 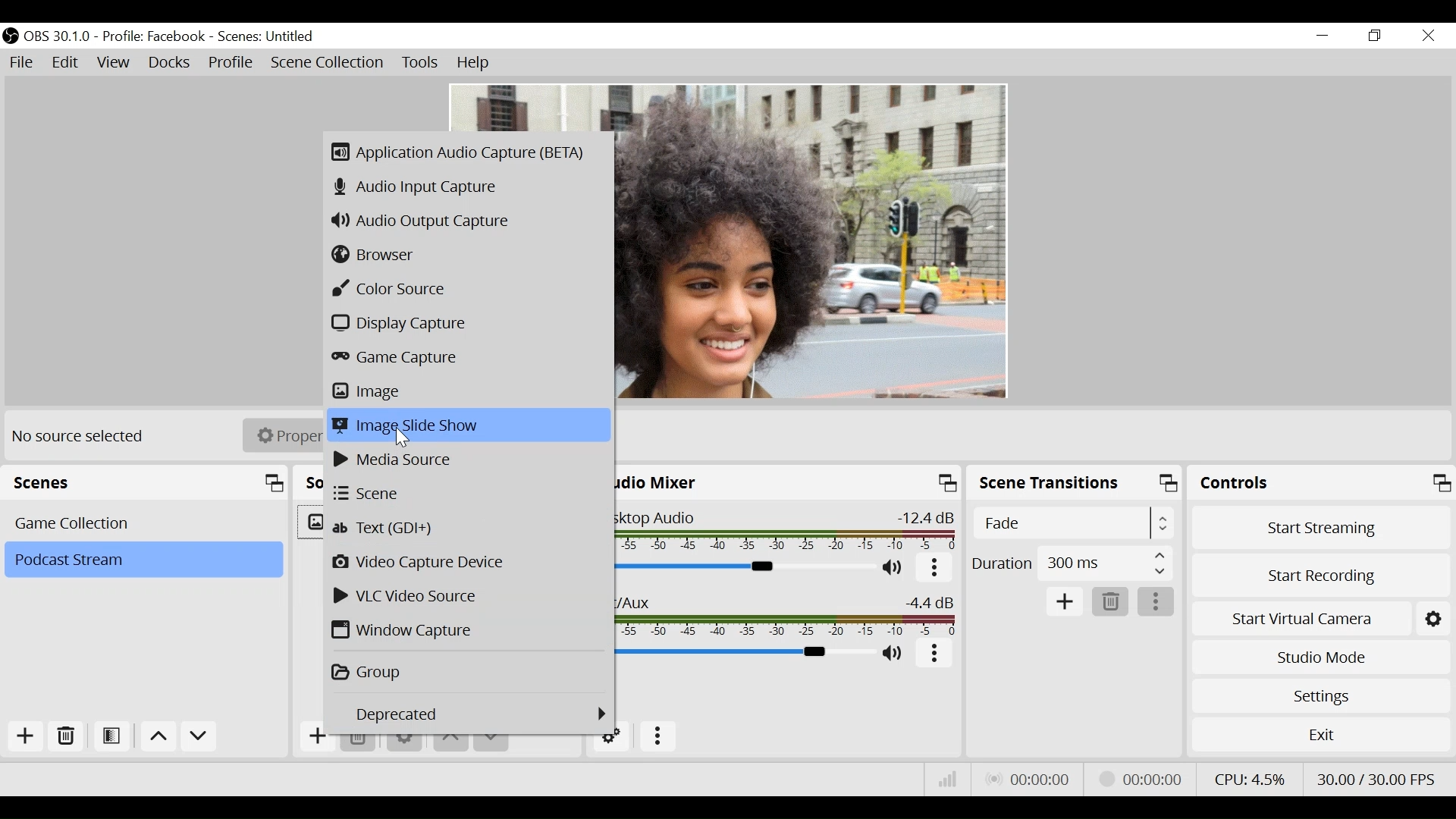 I want to click on Audio Input Capture, so click(x=466, y=189).